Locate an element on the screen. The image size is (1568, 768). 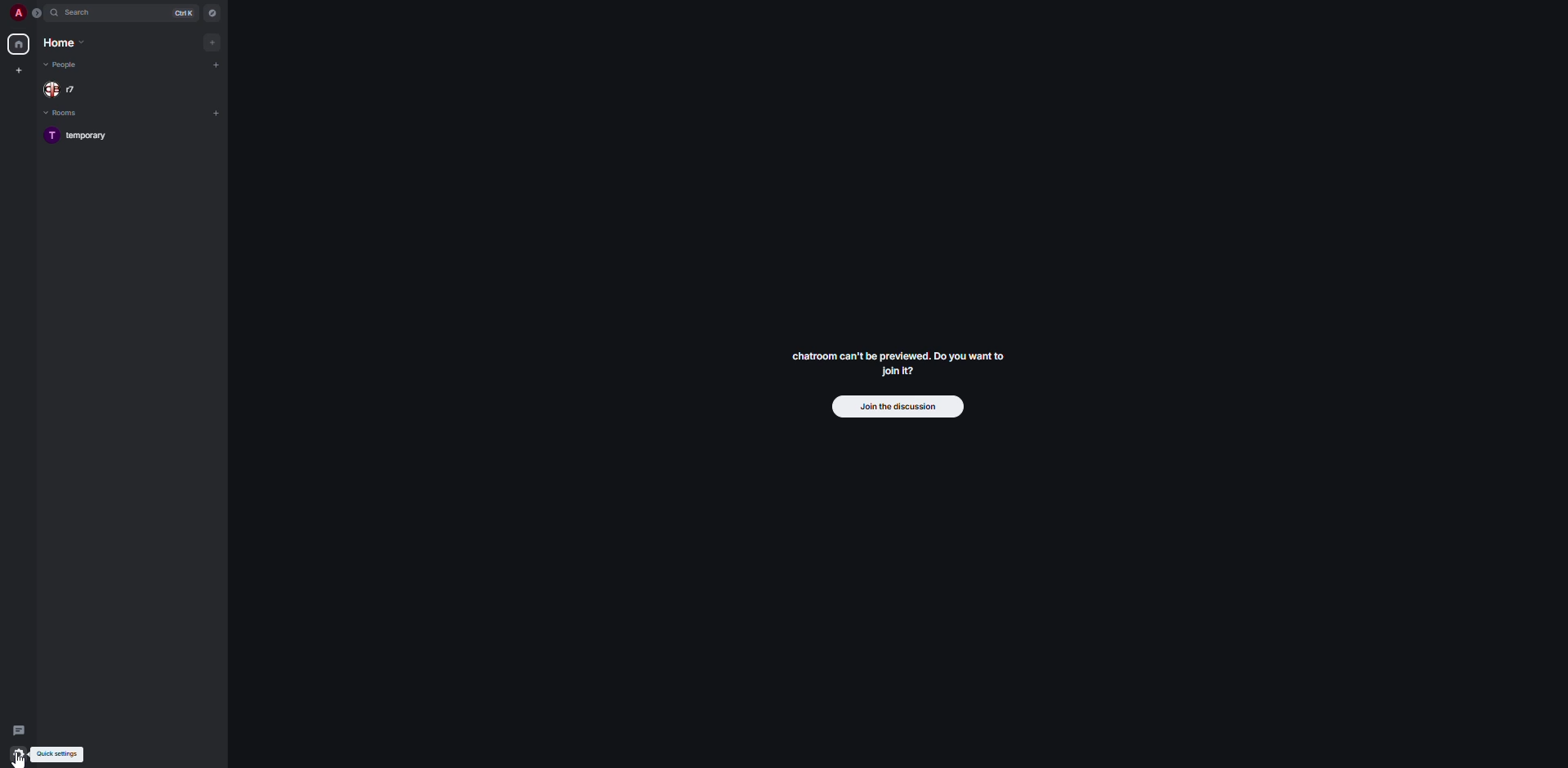
rooms is located at coordinates (62, 114).